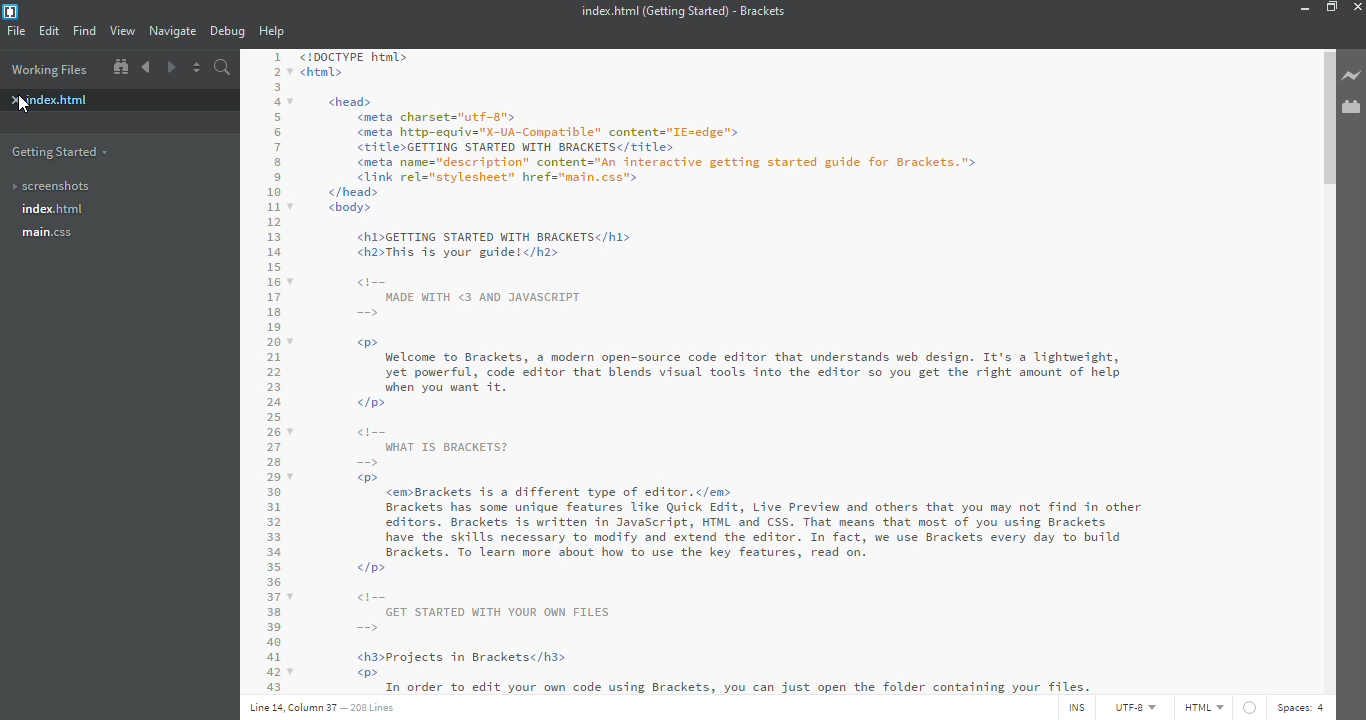  What do you see at coordinates (15, 99) in the screenshot?
I see `close` at bounding box center [15, 99].